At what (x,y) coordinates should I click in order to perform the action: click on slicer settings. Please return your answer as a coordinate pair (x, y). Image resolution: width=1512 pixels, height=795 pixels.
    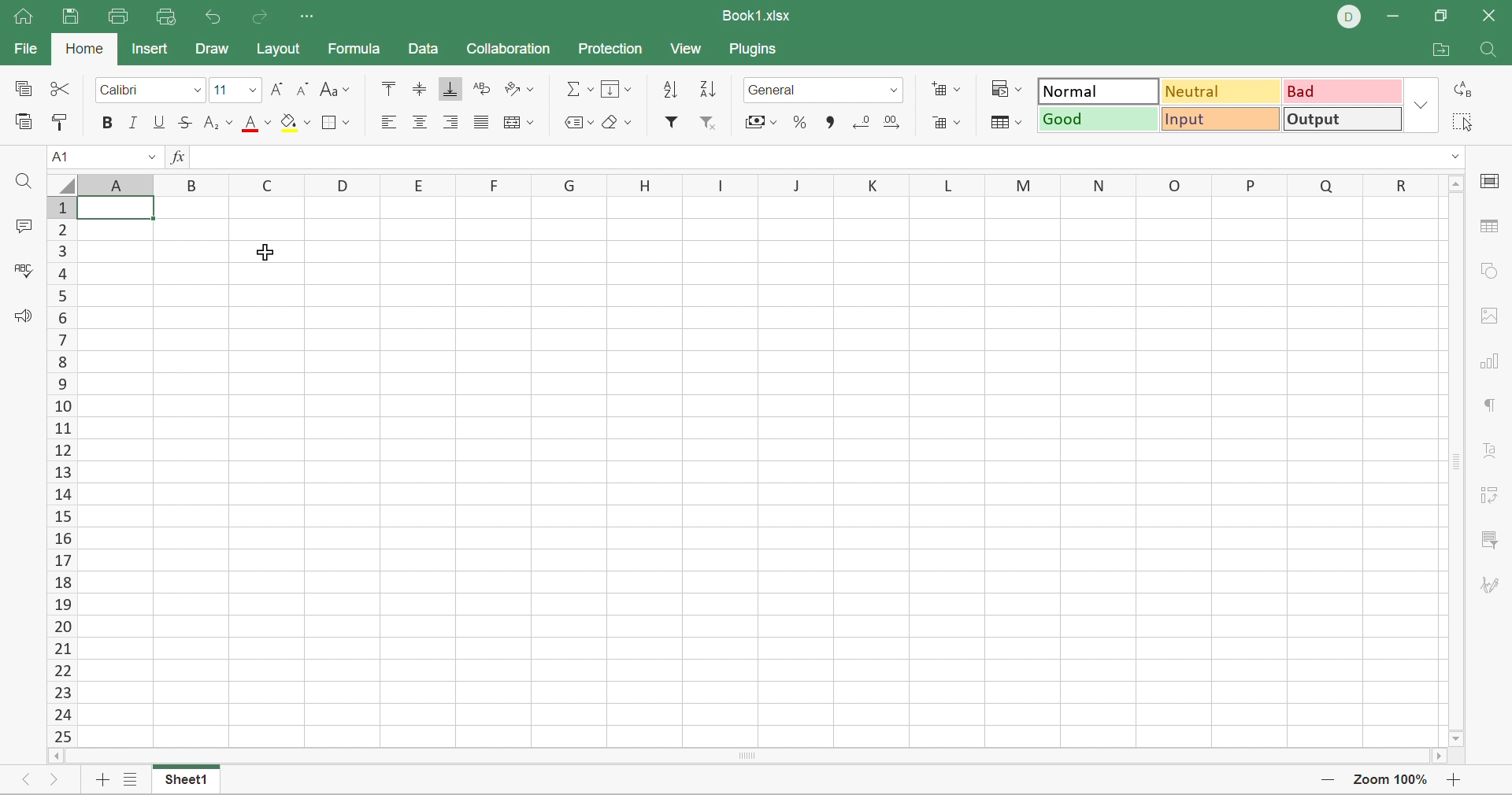
    Looking at the image, I should click on (1492, 542).